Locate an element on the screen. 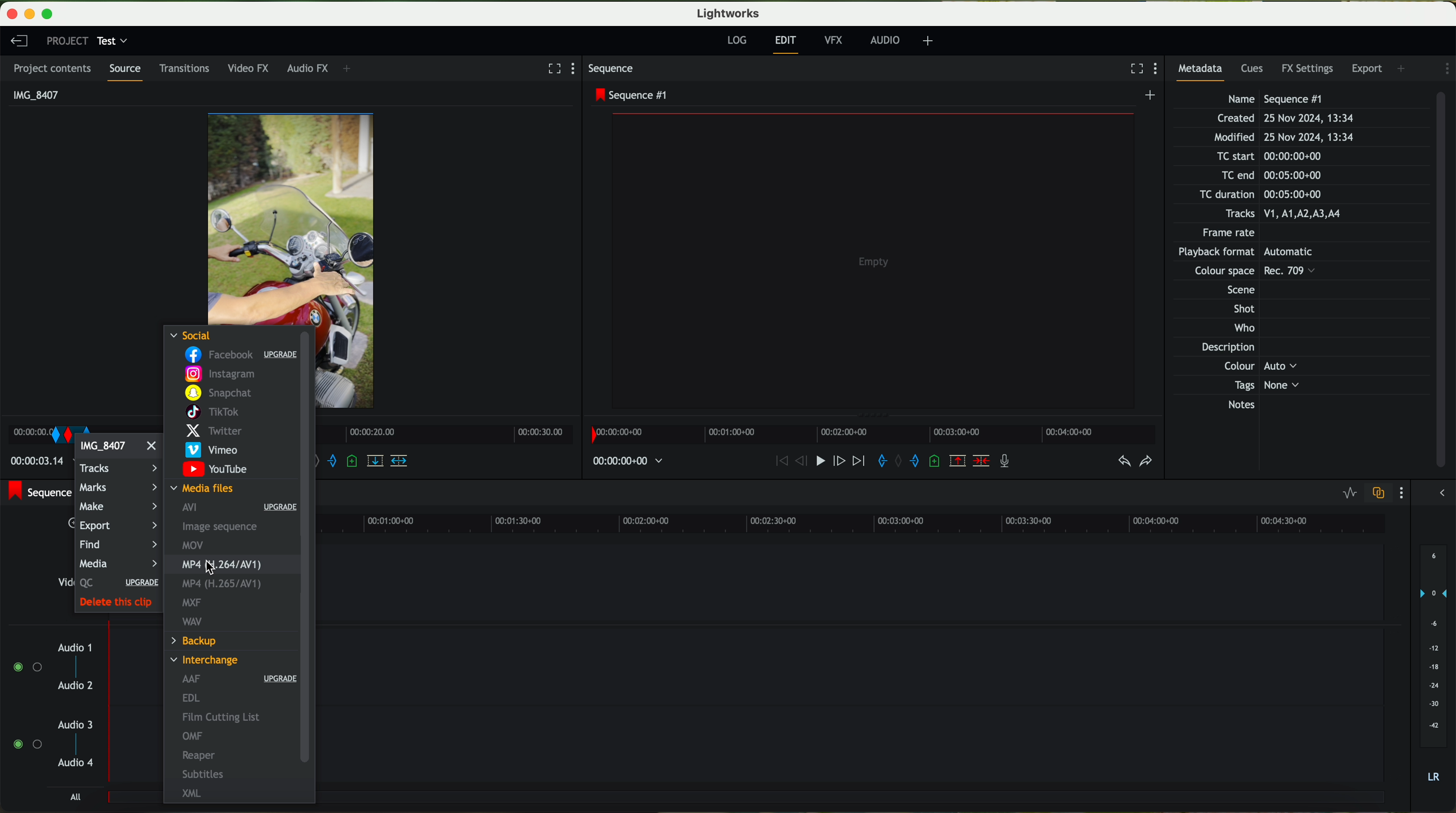  FX settings is located at coordinates (1308, 67).